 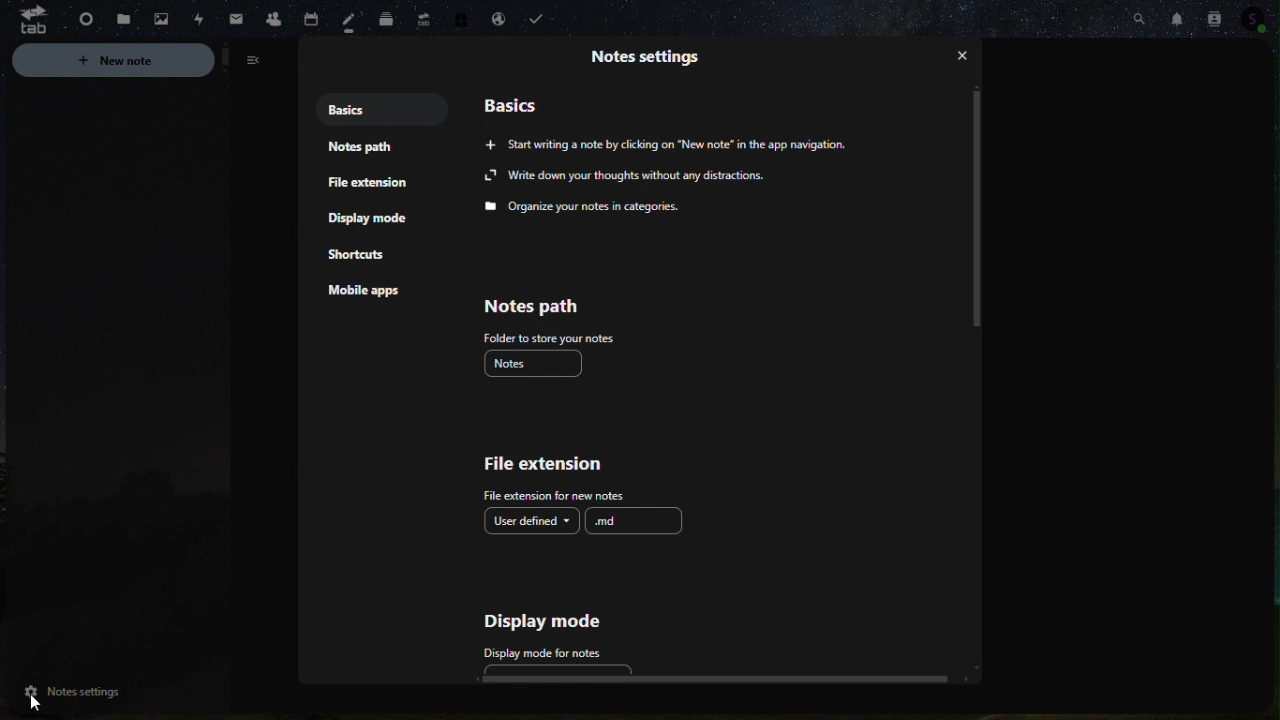 What do you see at coordinates (586, 209) in the screenshot?
I see ` Organize your notes in categories.` at bounding box center [586, 209].